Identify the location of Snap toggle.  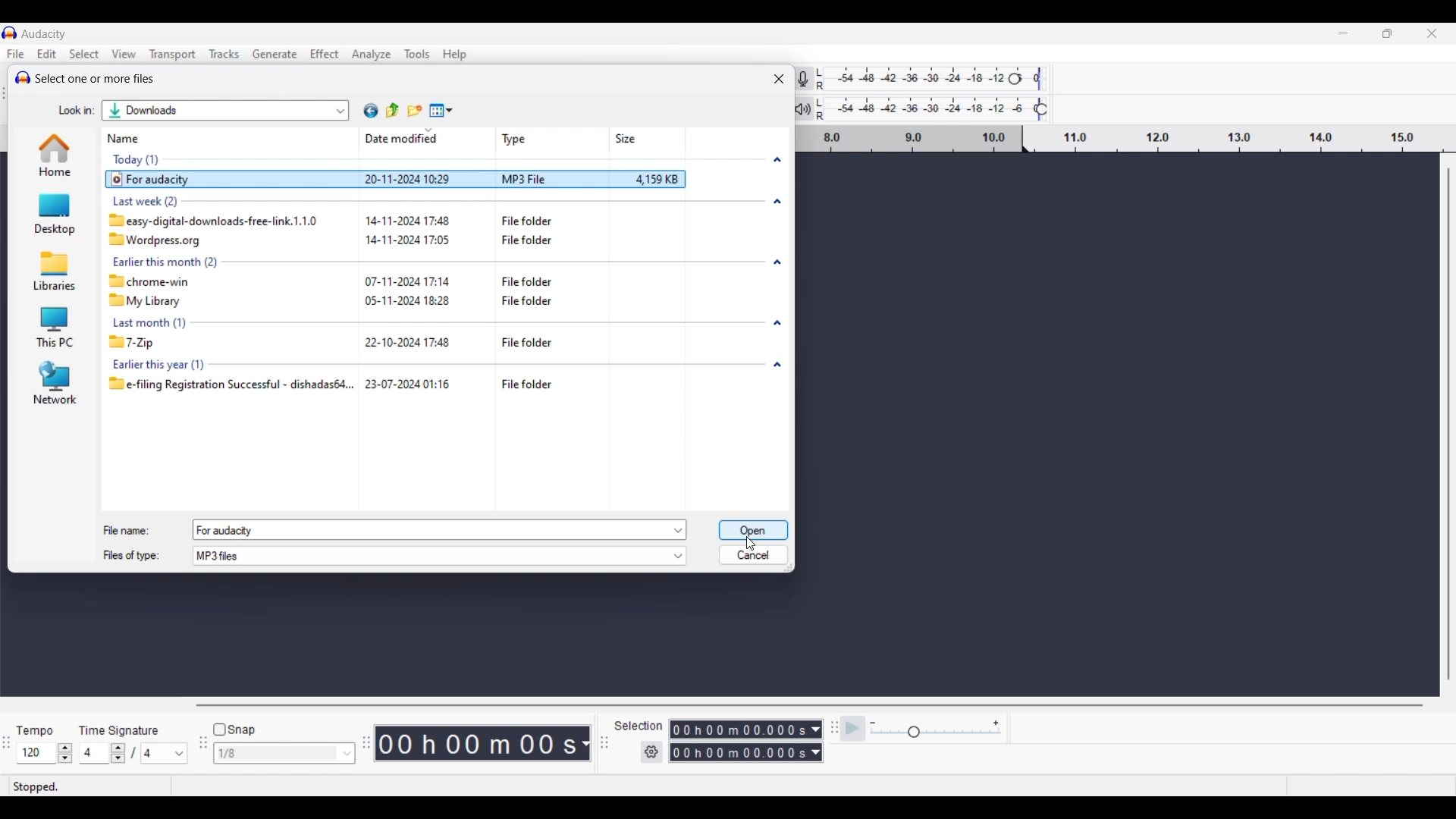
(234, 730).